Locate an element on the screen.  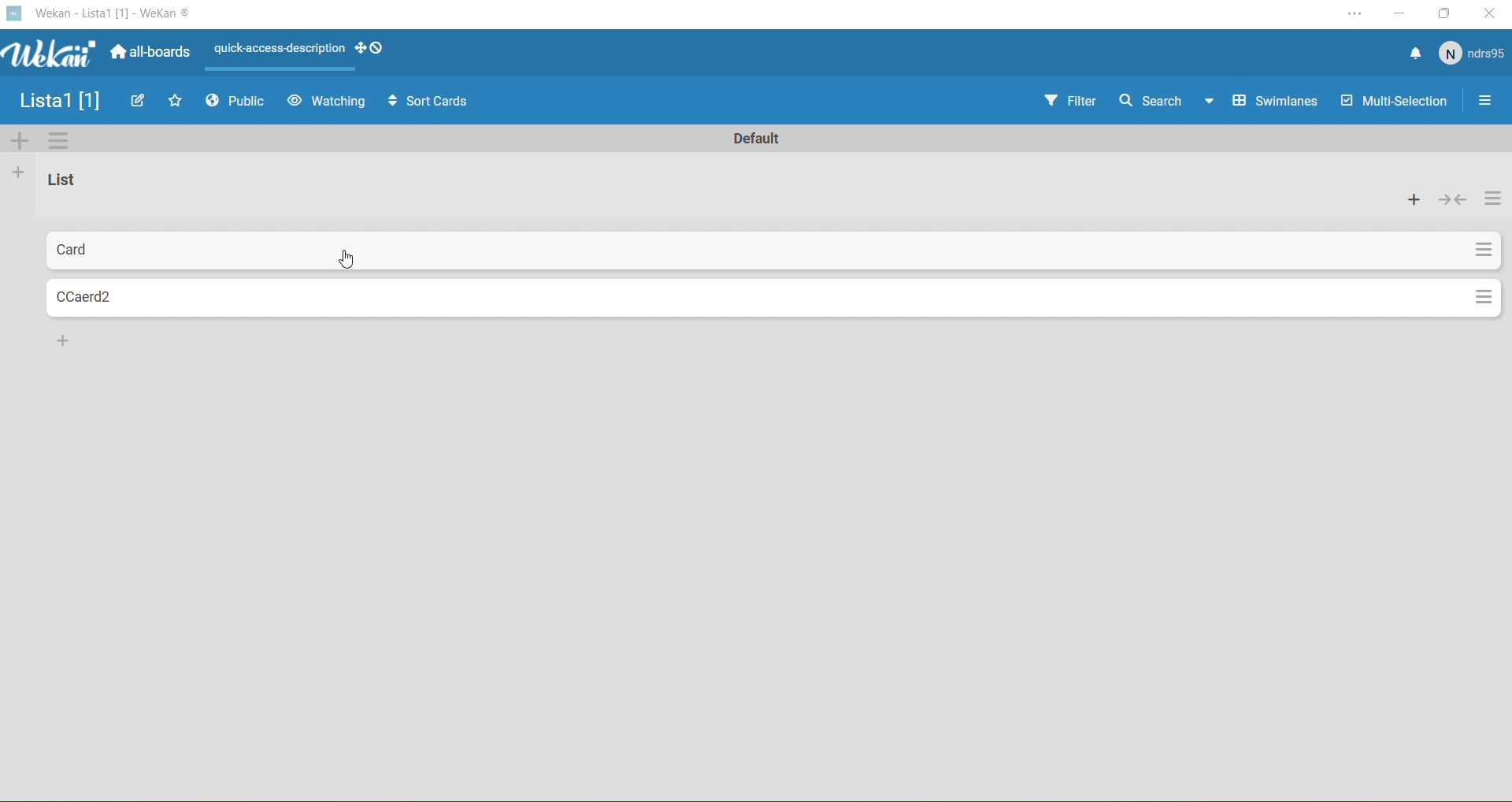
Minimize is located at coordinates (1400, 13).